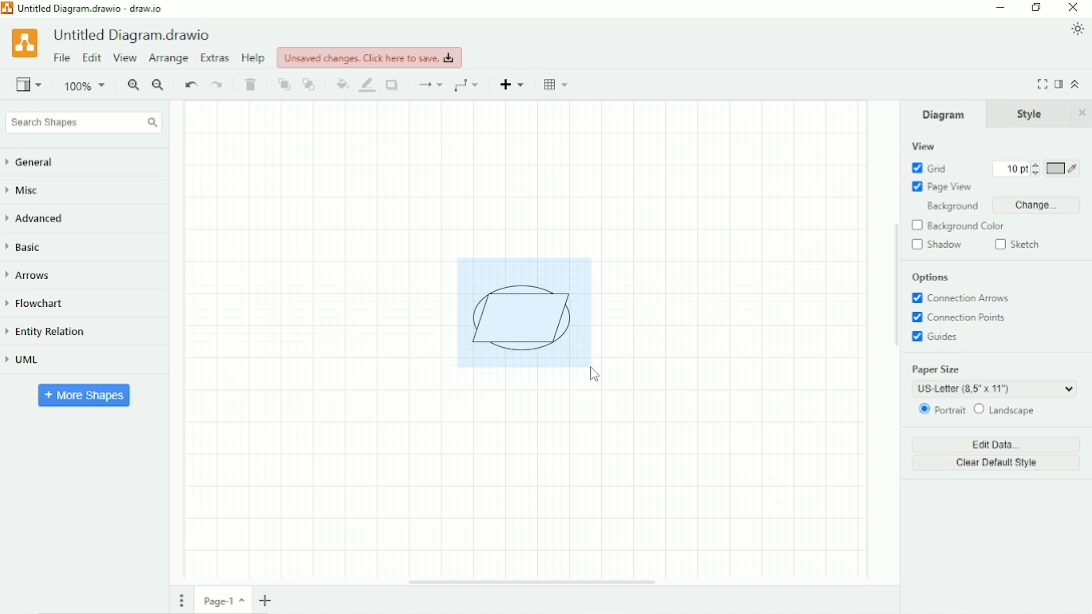 This screenshot has height=614, width=1092. I want to click on Background color, so click(967, 226).